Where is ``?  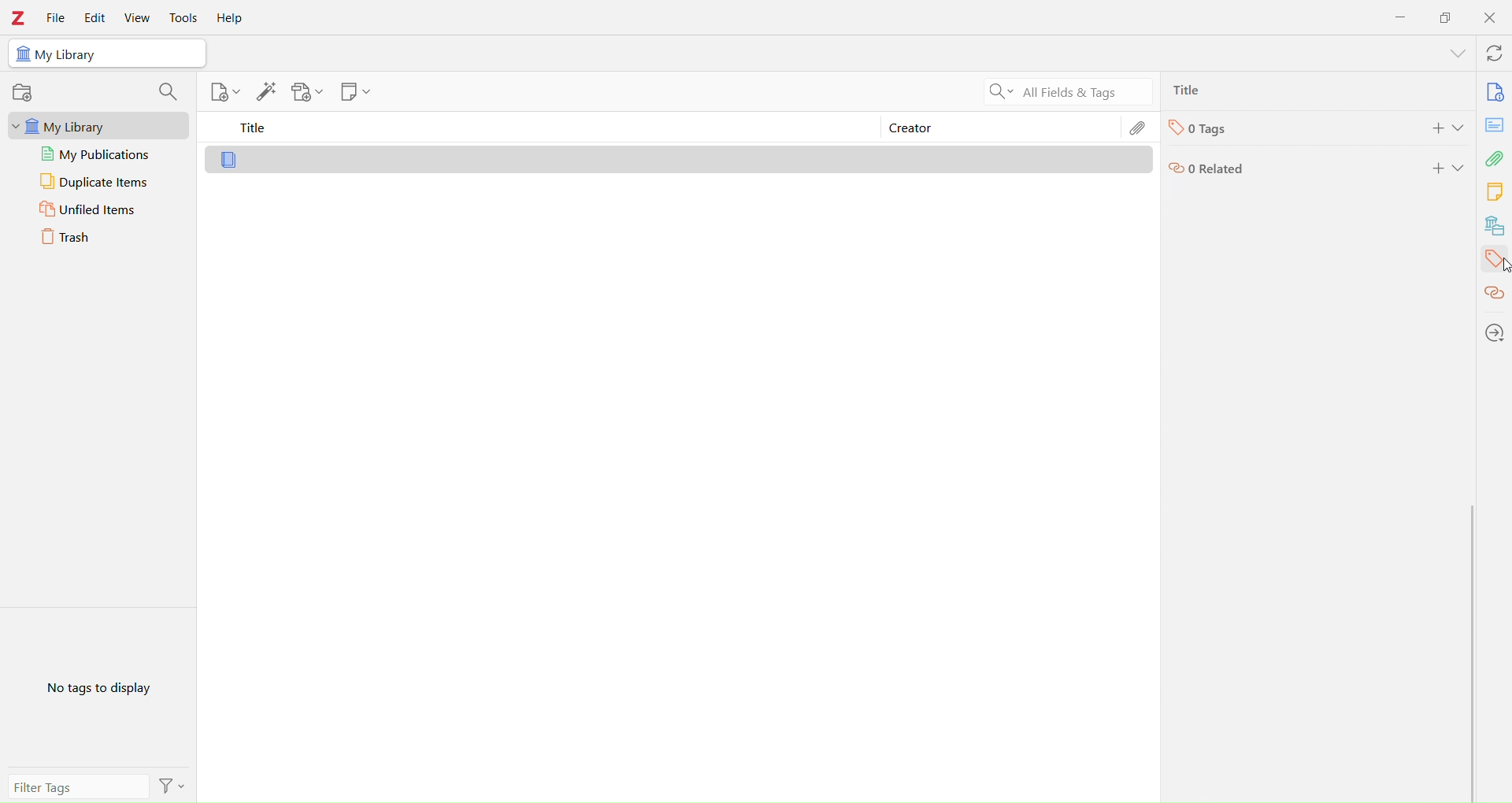
 is located at coordinates (1436, 128).